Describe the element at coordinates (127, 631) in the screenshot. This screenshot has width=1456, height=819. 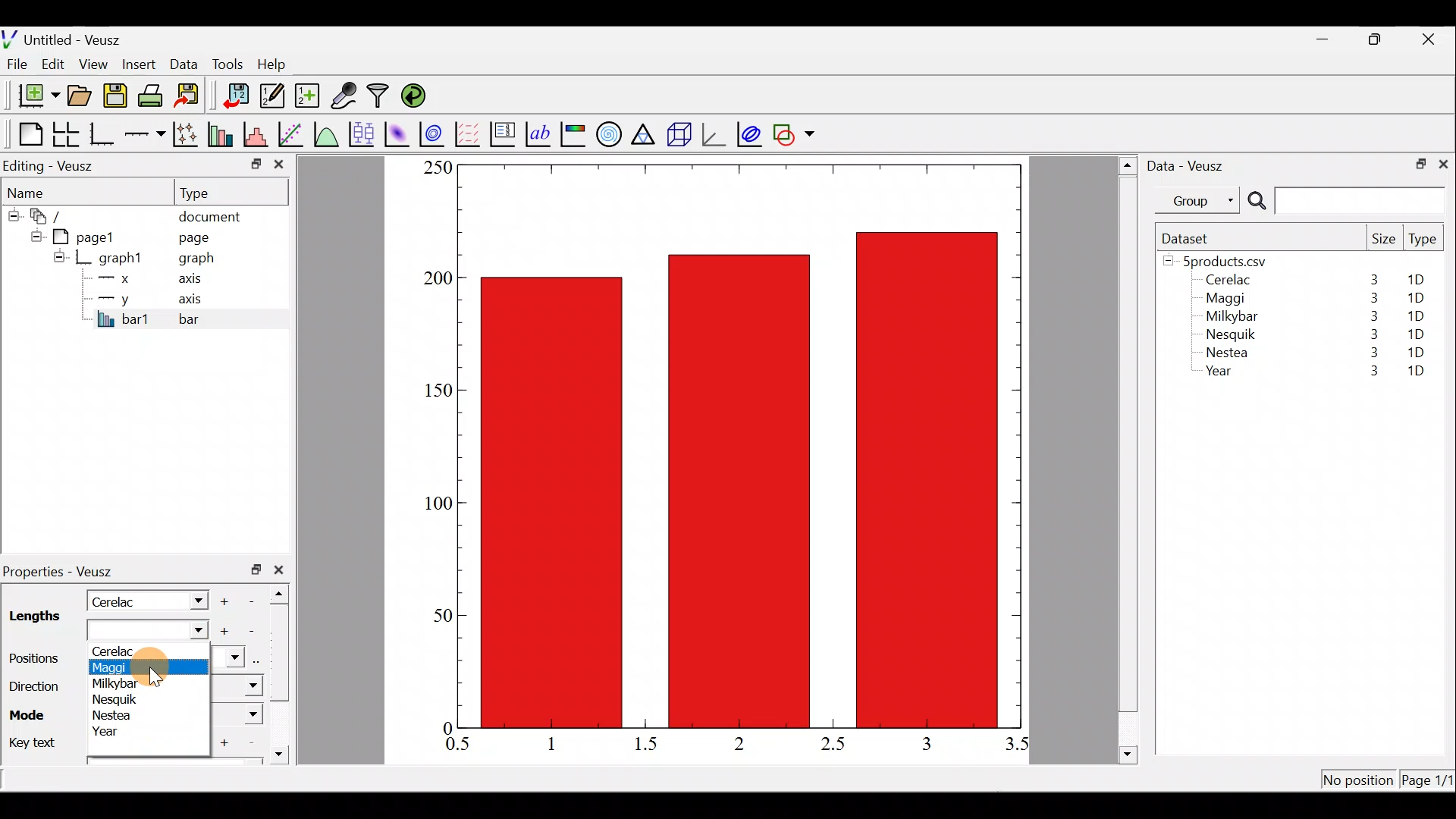
I see `Length dropdown` at that location.